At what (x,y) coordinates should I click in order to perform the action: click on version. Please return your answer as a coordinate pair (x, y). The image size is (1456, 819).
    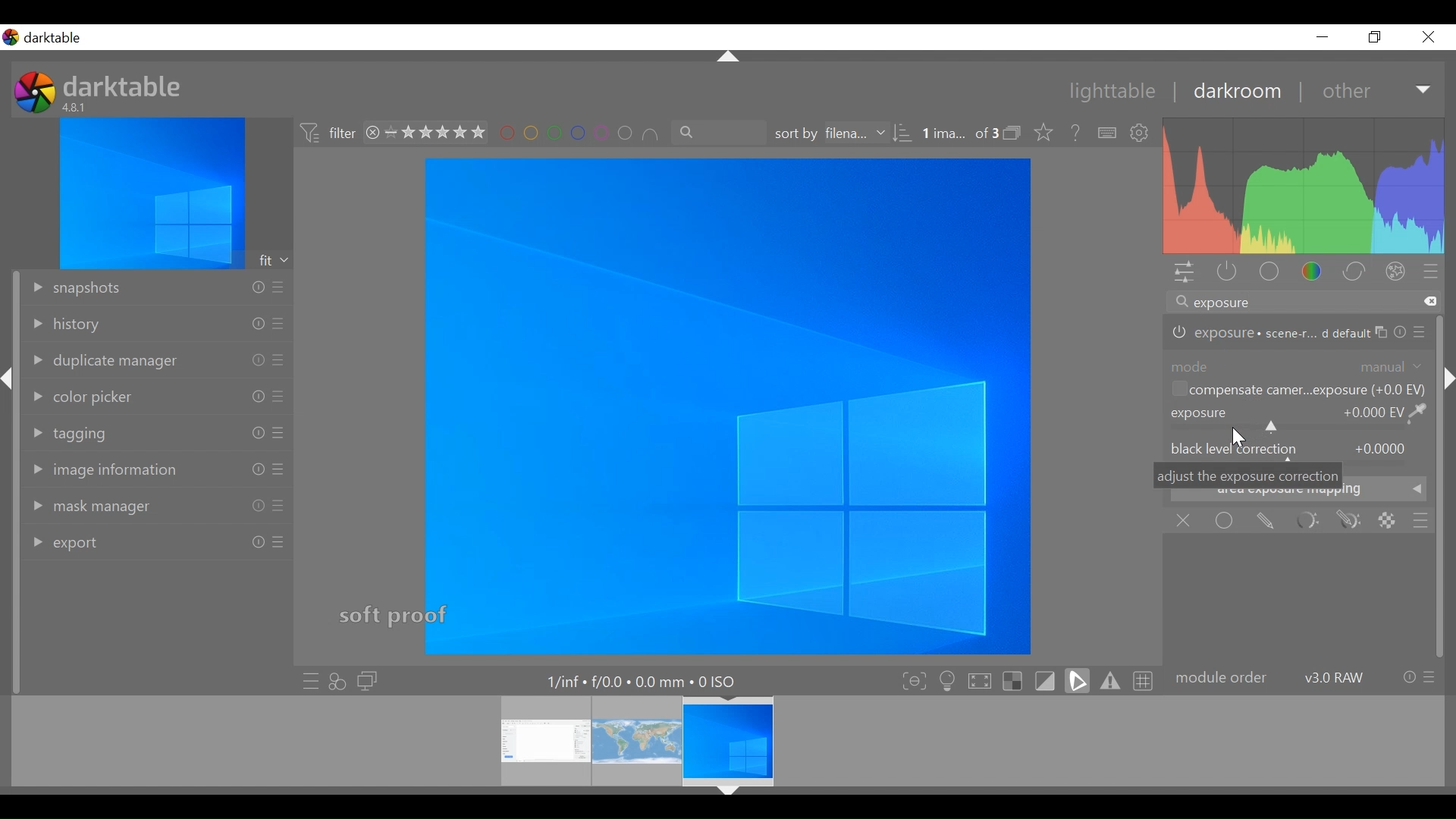
    Looking at the image, I should click on (1335, 677).